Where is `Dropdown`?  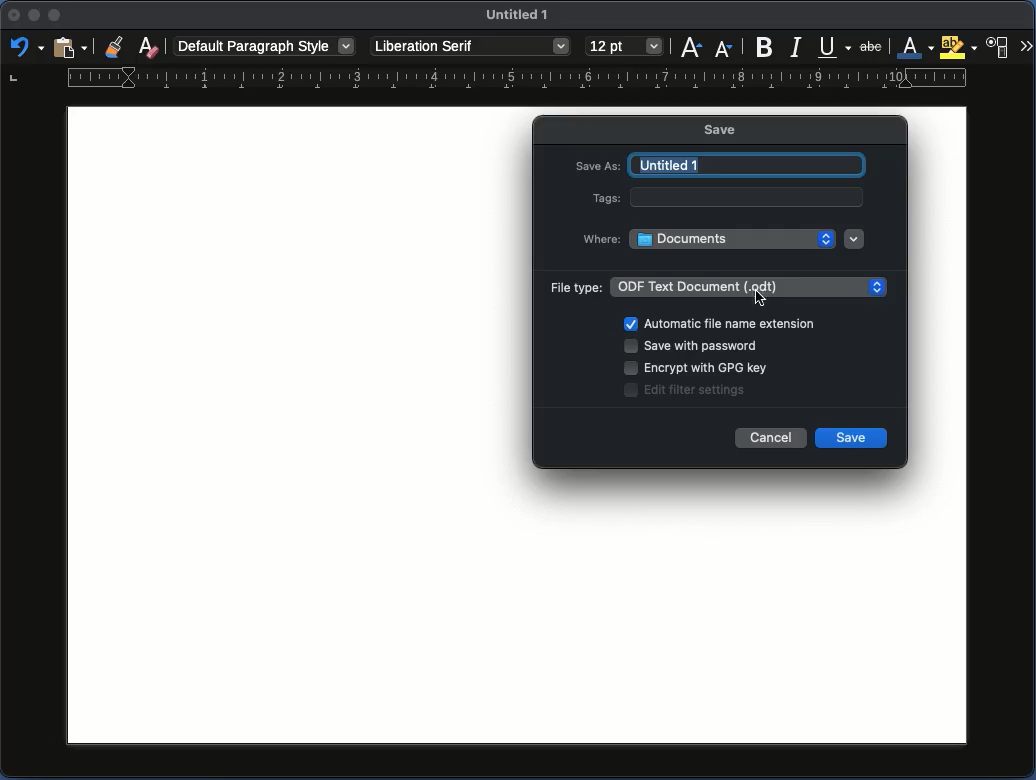 Dropdown is located at coordinates (855, 238).